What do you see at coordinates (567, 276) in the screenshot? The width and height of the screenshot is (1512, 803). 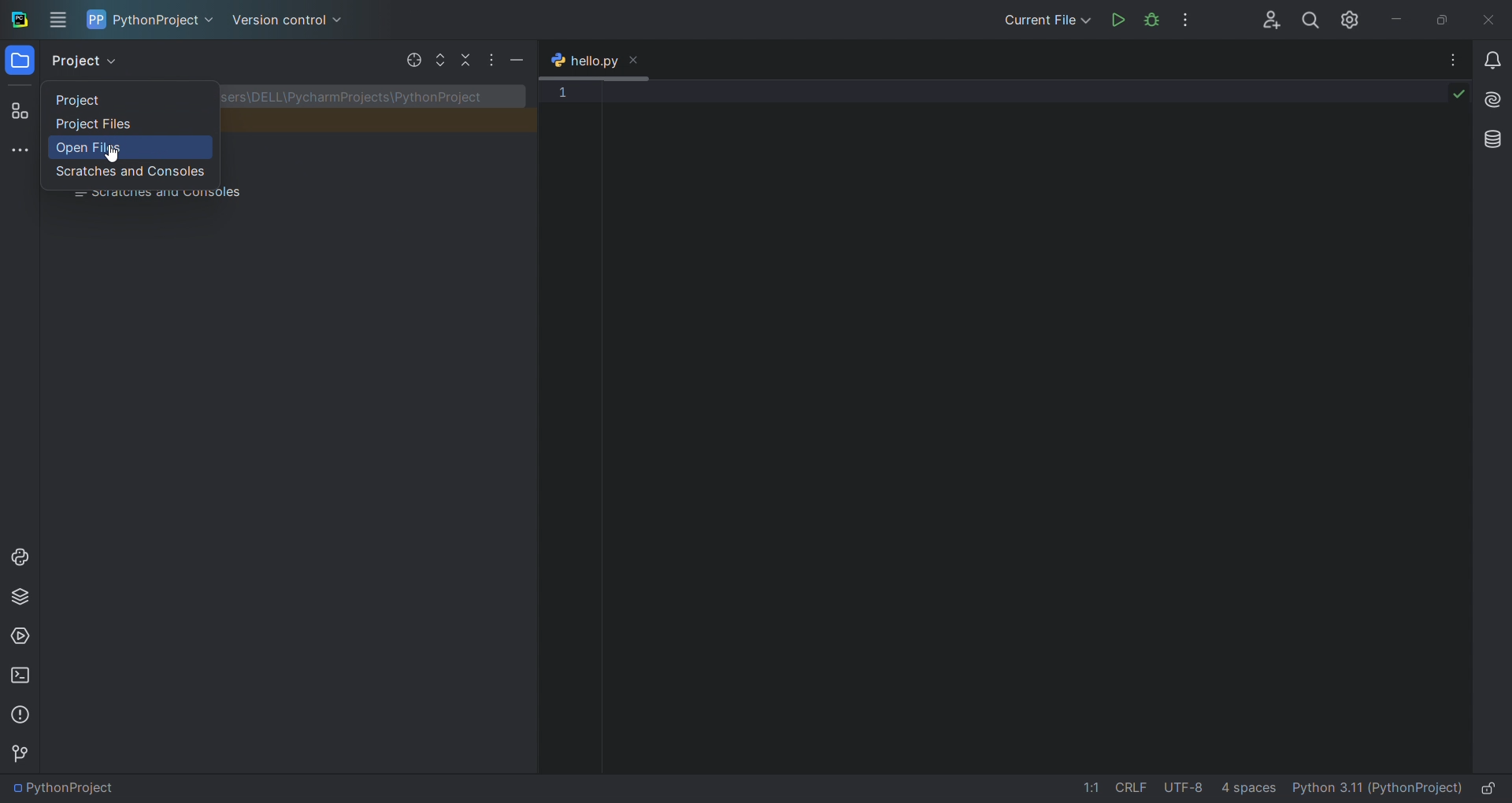 I see `line number` at bounding box center [567, 276].